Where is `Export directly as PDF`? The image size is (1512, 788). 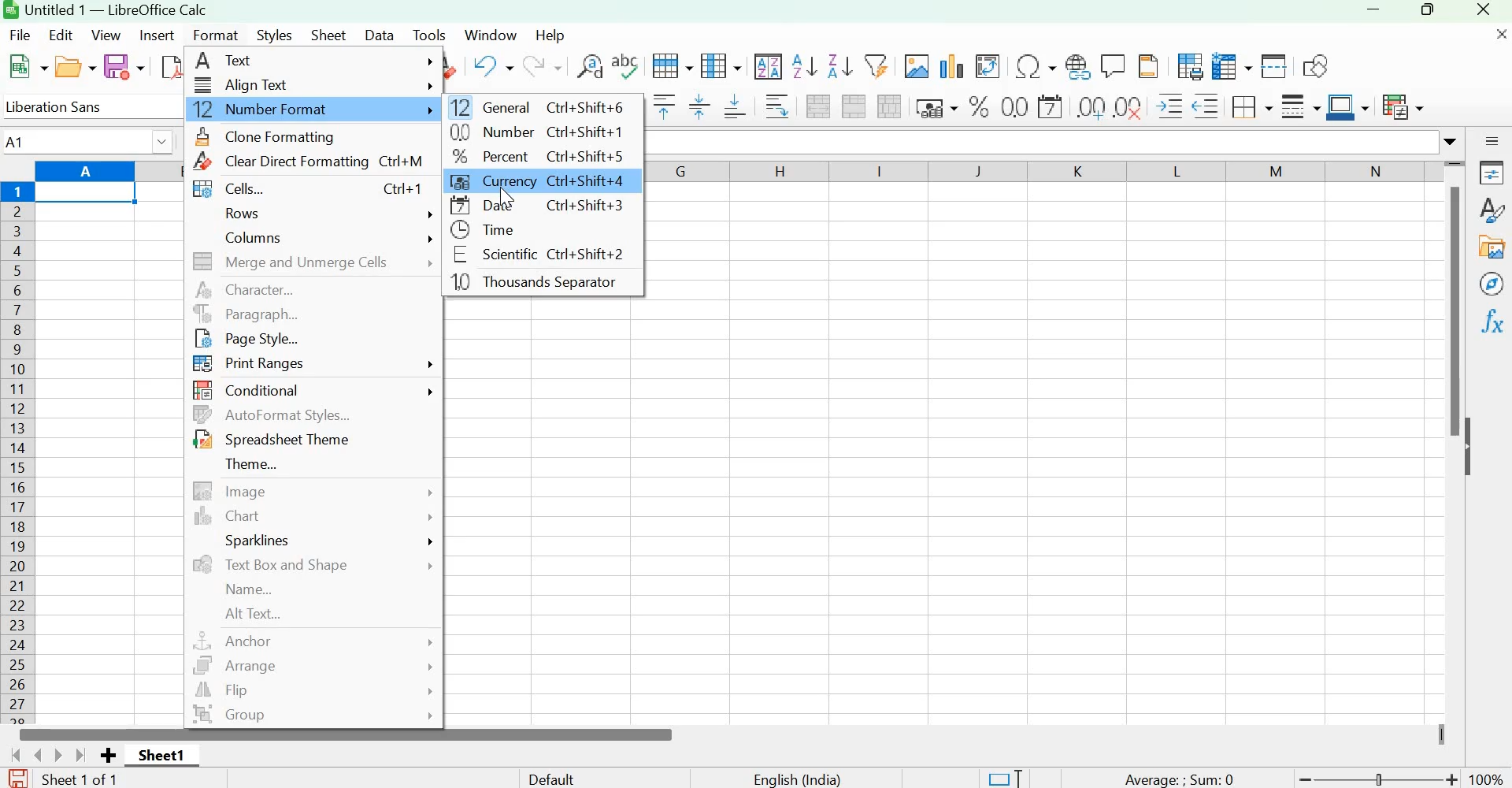 Export directly as PDF is located at coordinates (170, 69).